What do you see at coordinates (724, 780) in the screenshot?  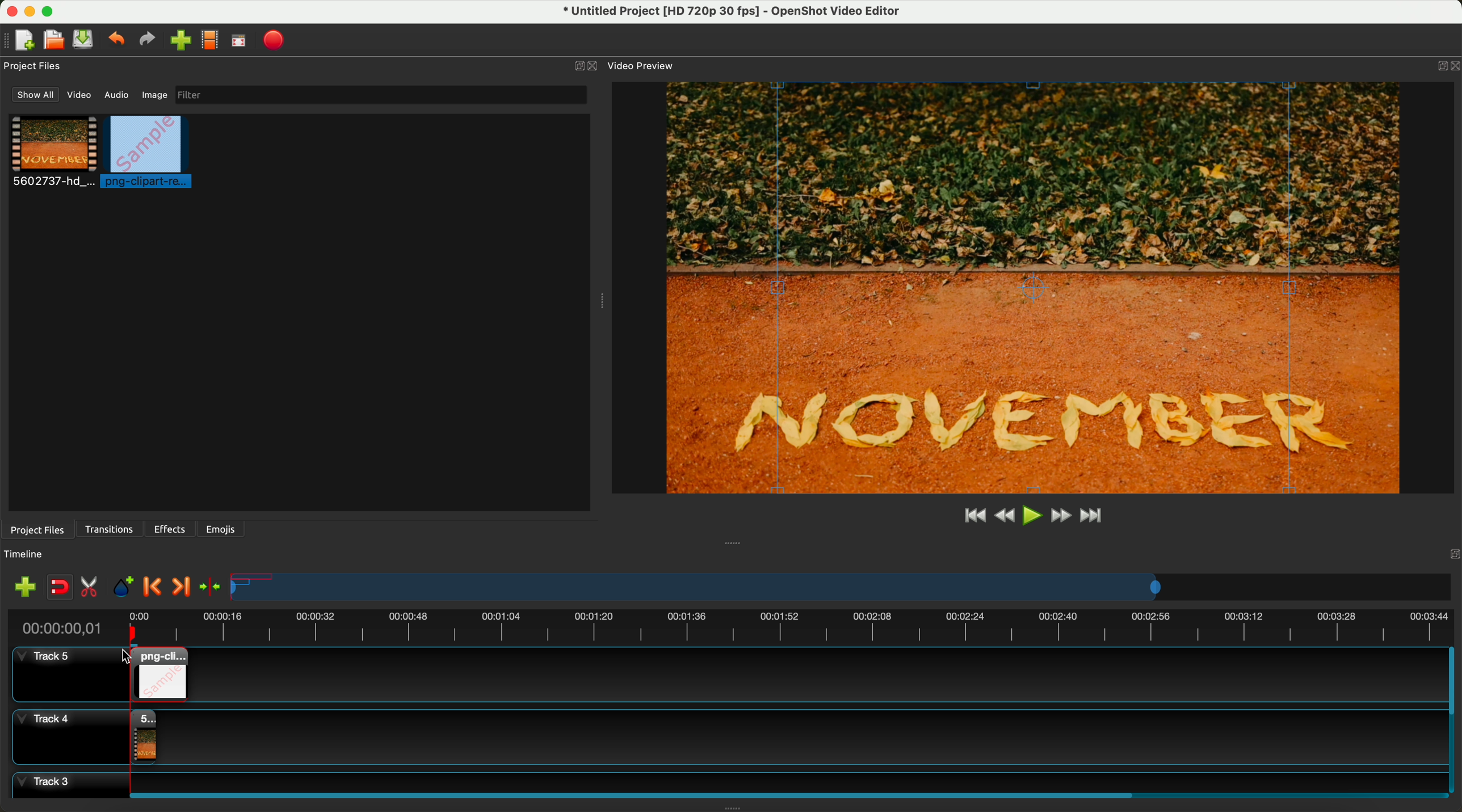 I see `track 3` at bounding box center [724, 780].